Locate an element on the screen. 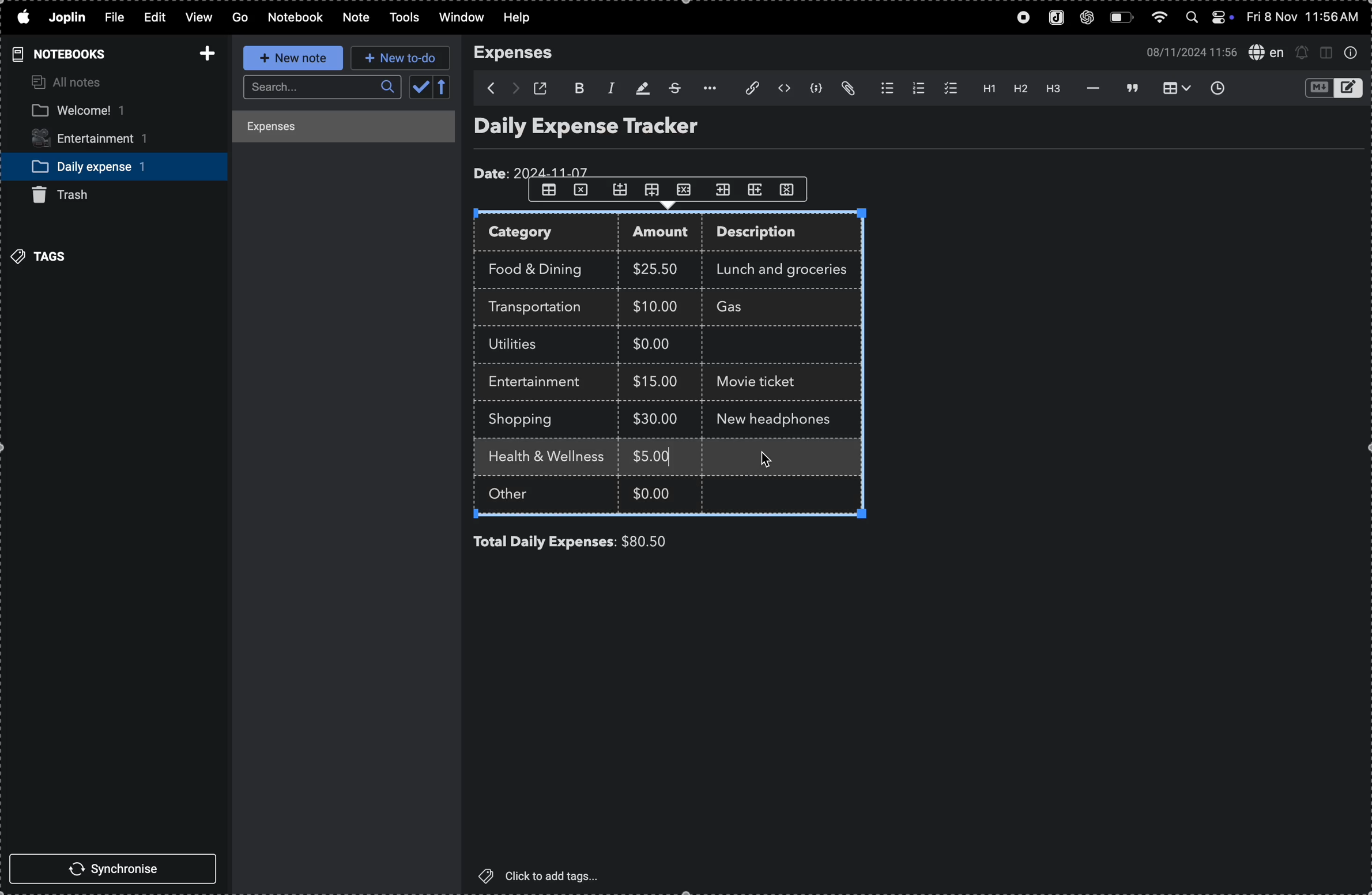 Image resolution: width=1372 pixels, height=895 pixels. table is located at coordinates (548, 190).